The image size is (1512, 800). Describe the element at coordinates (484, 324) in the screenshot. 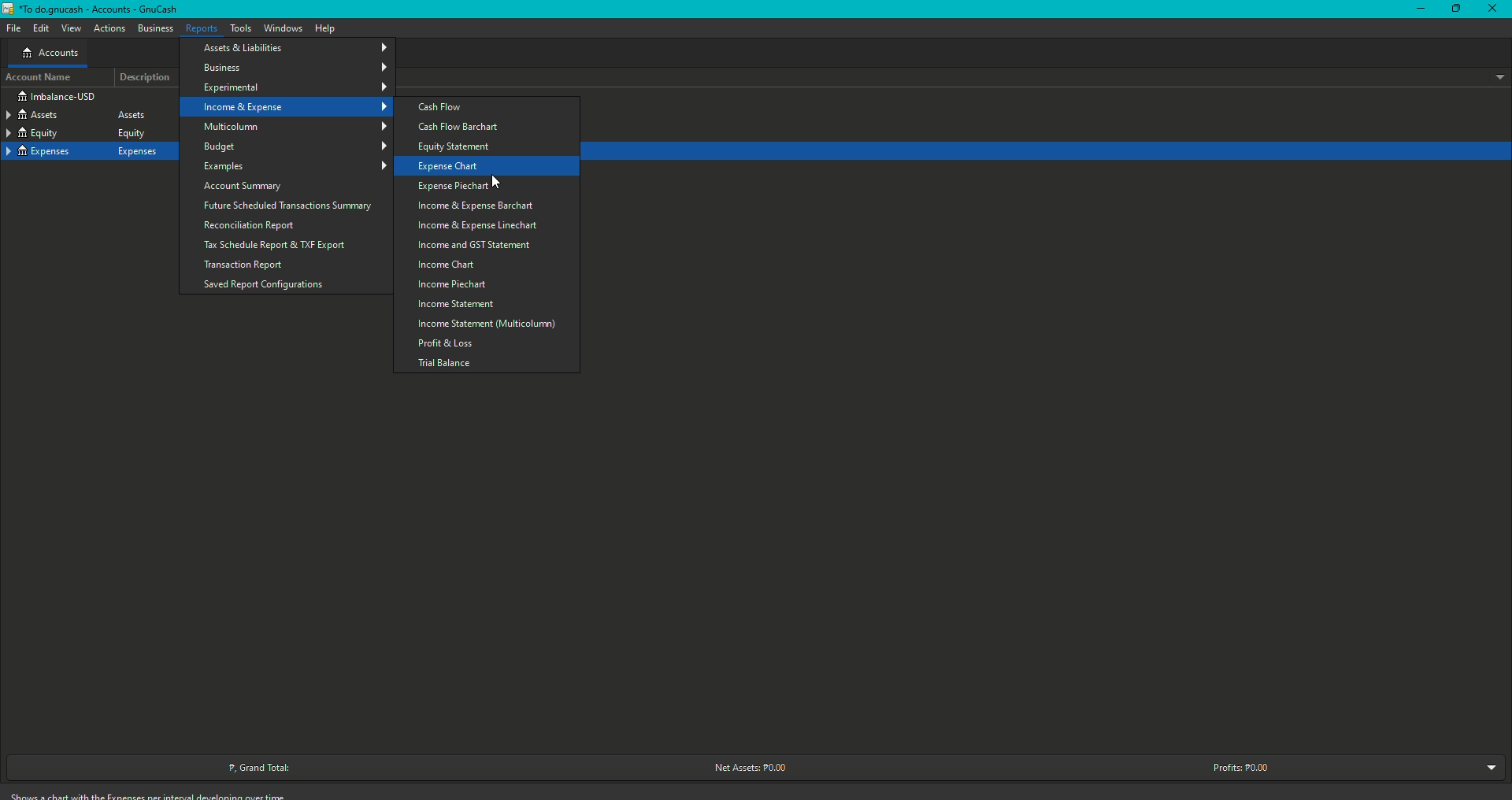

I see `Income Statement Multicolumn` at that location.